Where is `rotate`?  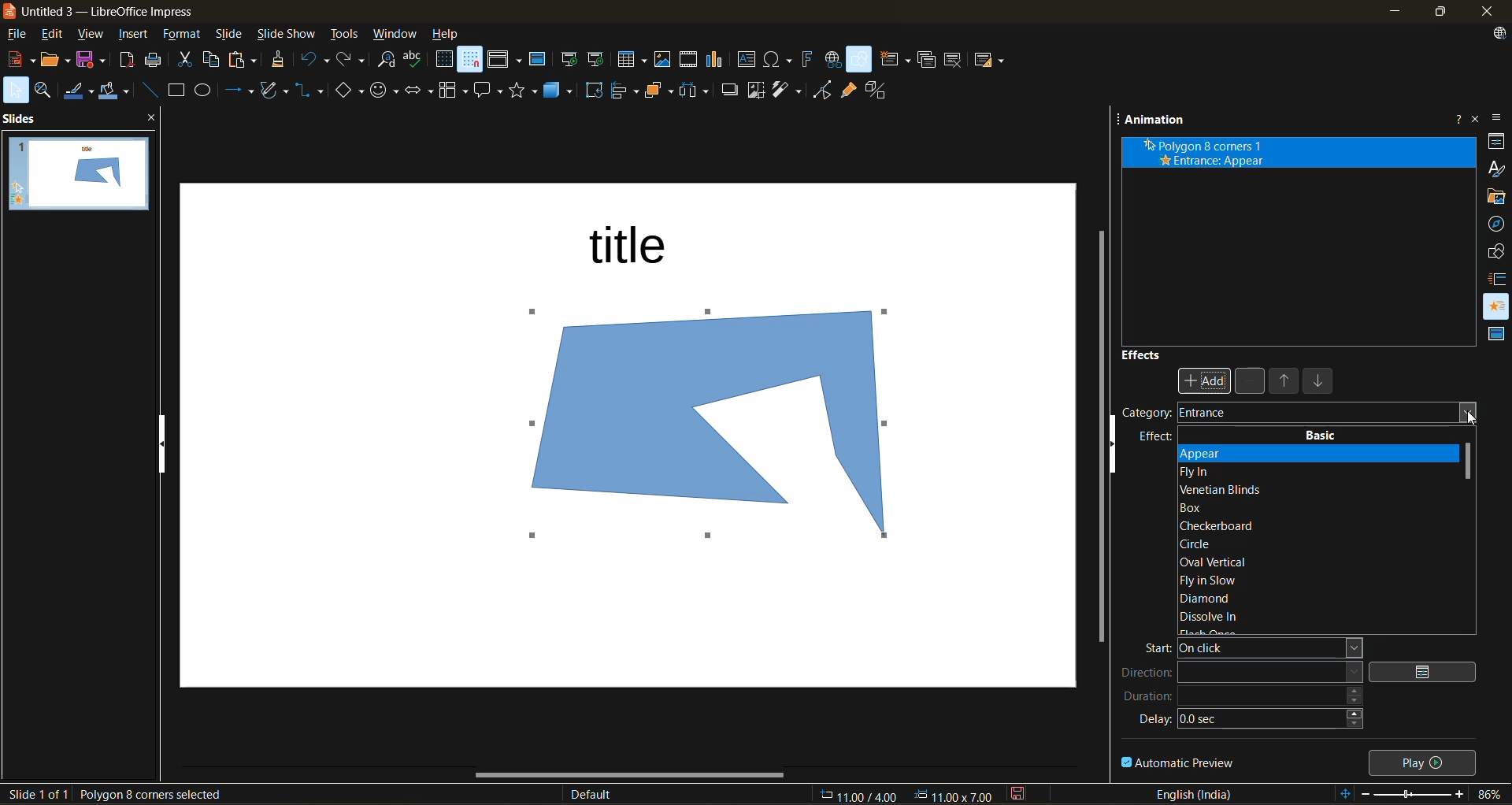
rotate is located at coordinates (595, 92).